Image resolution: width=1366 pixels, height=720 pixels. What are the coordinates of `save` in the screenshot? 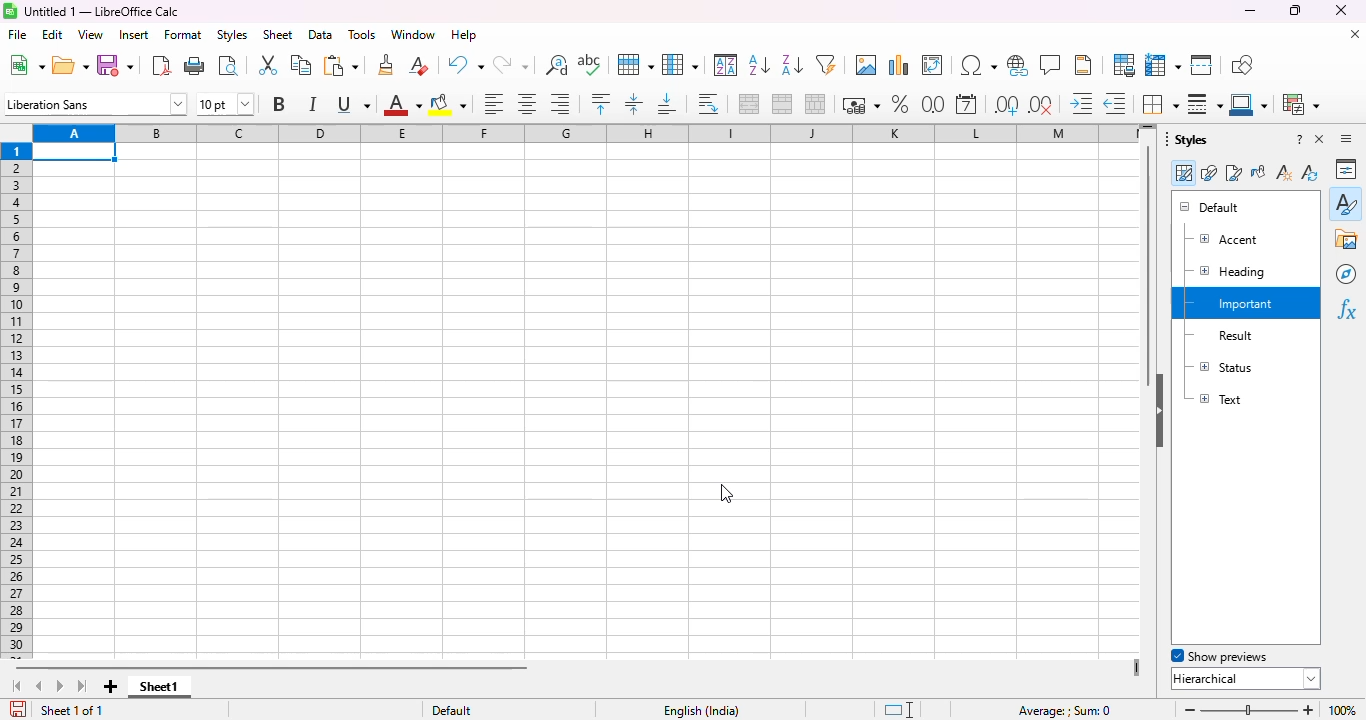 It's located at (115, 65).